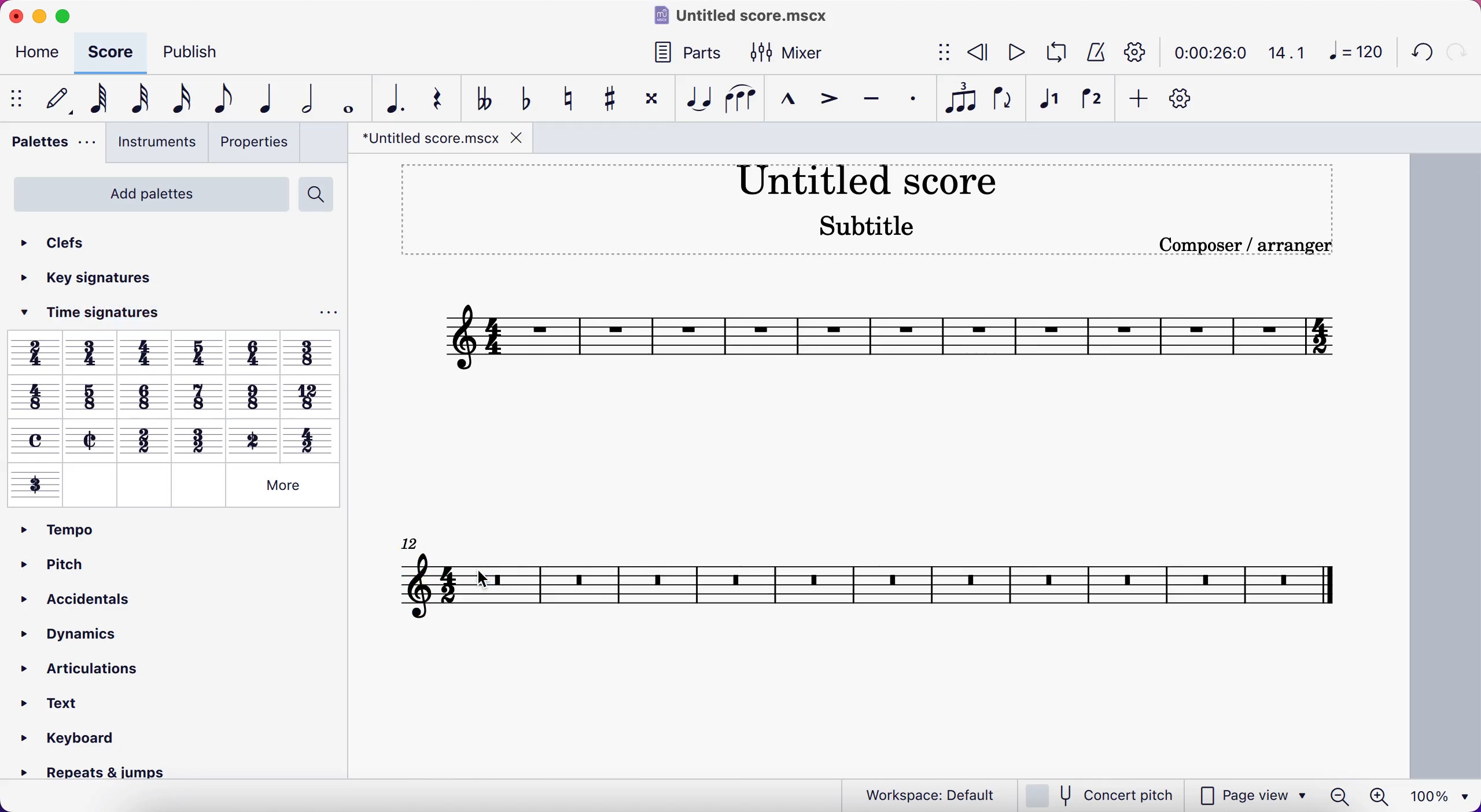  I want to click on title, so click(435, 139).